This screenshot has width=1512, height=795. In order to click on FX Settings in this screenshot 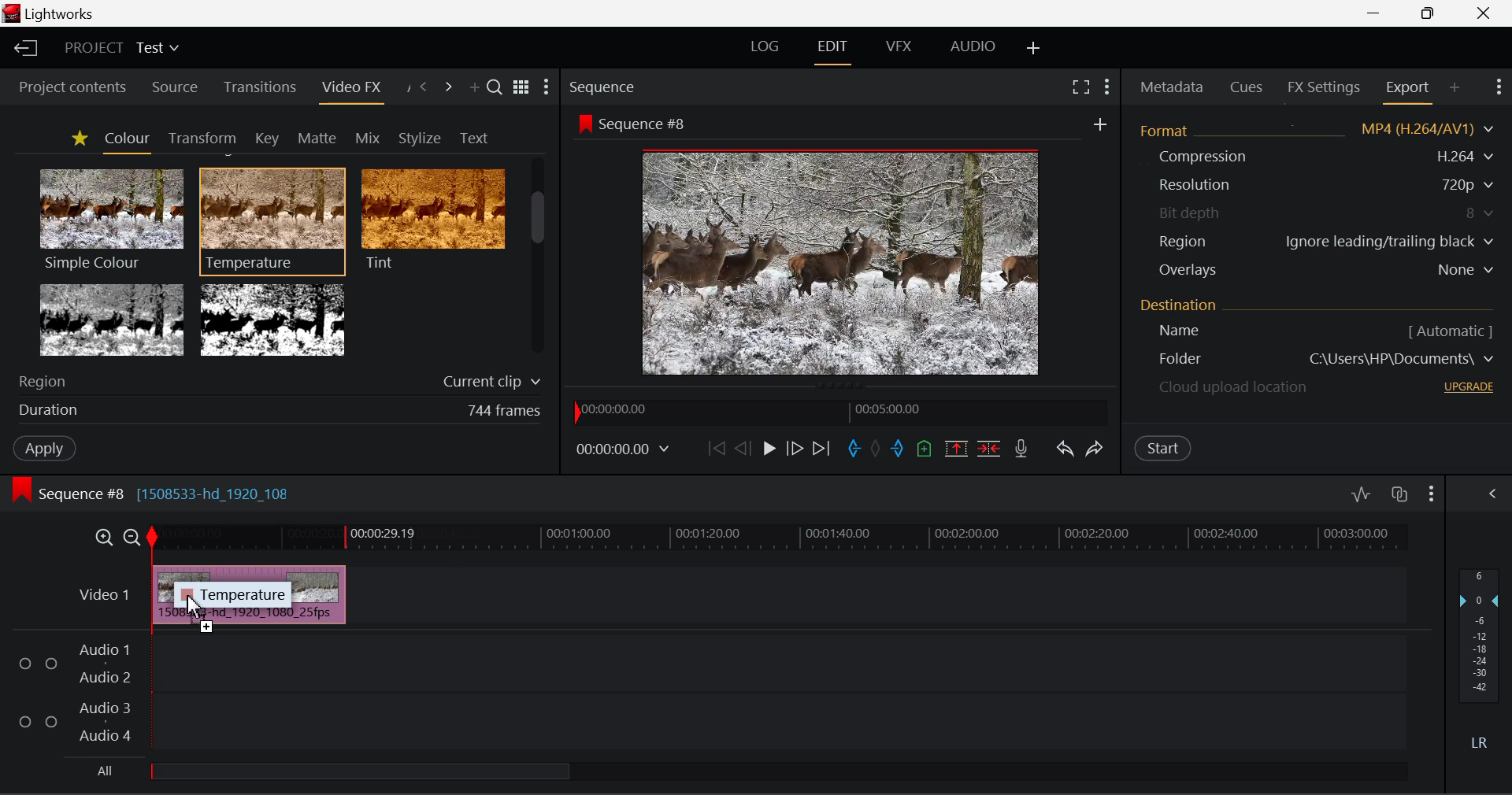, I will do `click(1324, 87)`.